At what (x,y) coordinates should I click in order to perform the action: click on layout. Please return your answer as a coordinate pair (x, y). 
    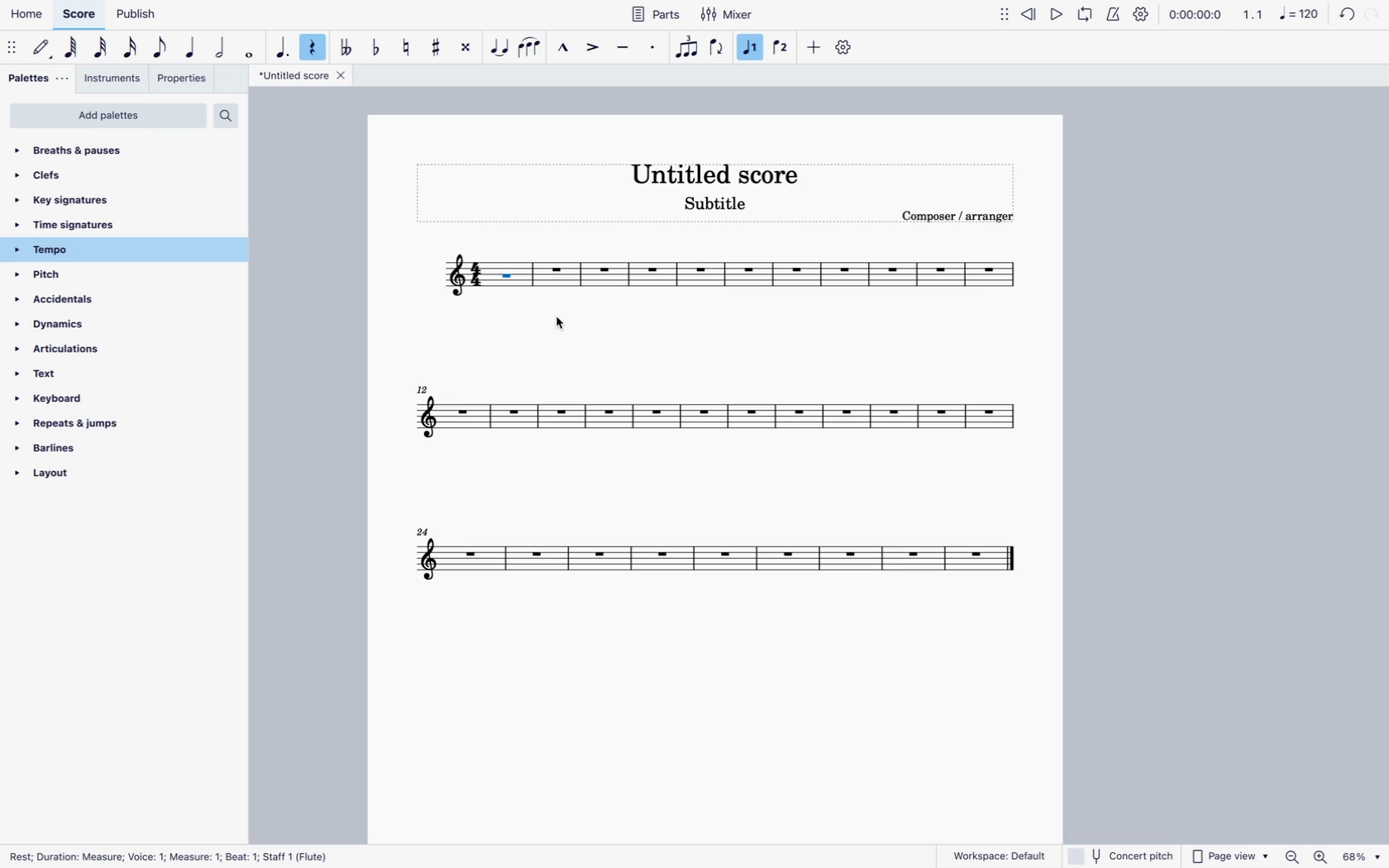
    Looking at the image, I should click on (63, 480).